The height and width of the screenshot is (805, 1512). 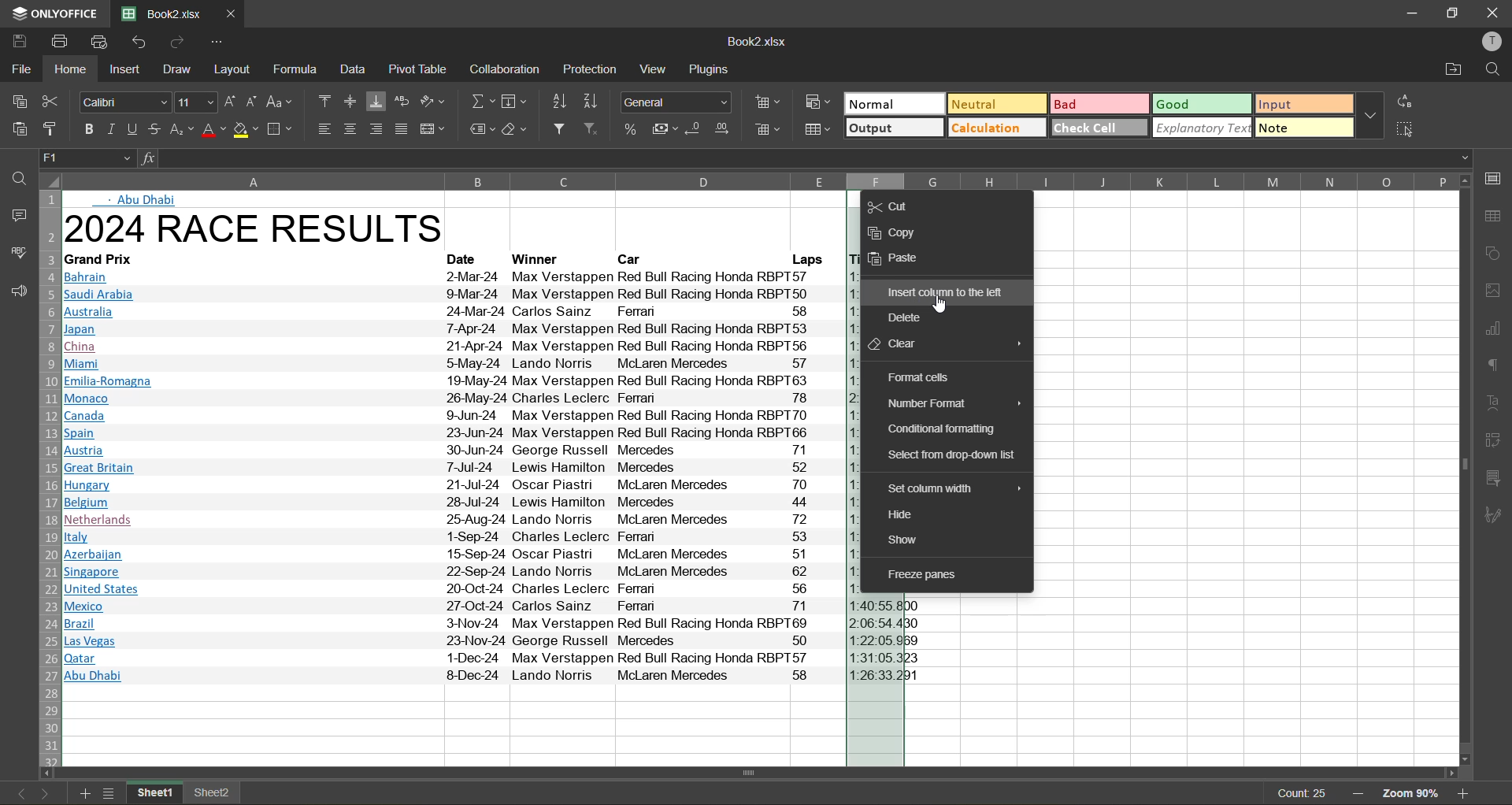 I want to click on move right, so click(x=1454, y=774).